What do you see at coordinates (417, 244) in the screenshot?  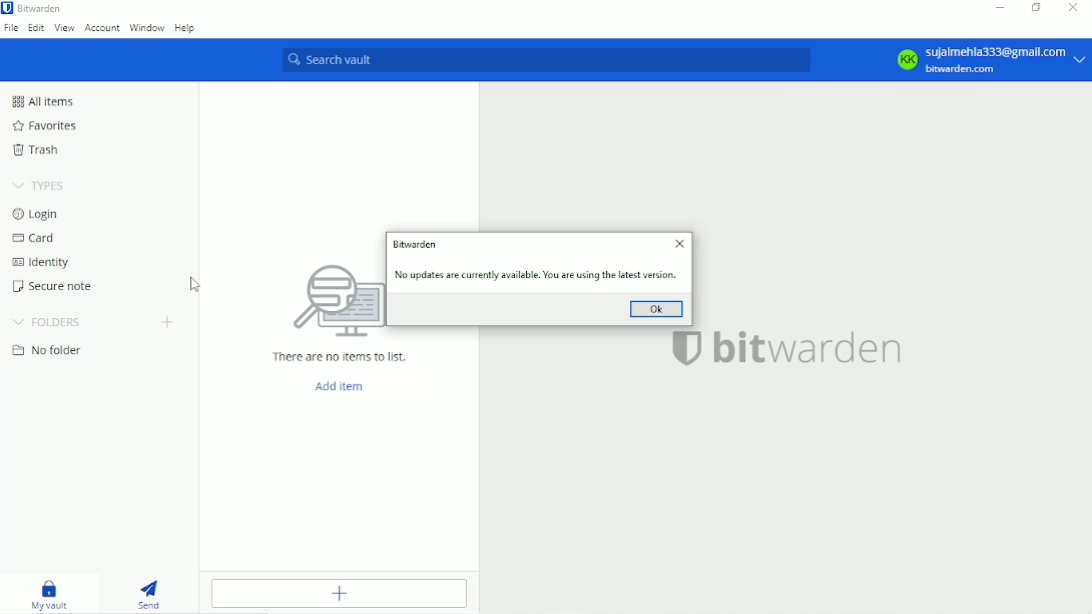 I see `Bitwarden` at bounding box center [417, 244].